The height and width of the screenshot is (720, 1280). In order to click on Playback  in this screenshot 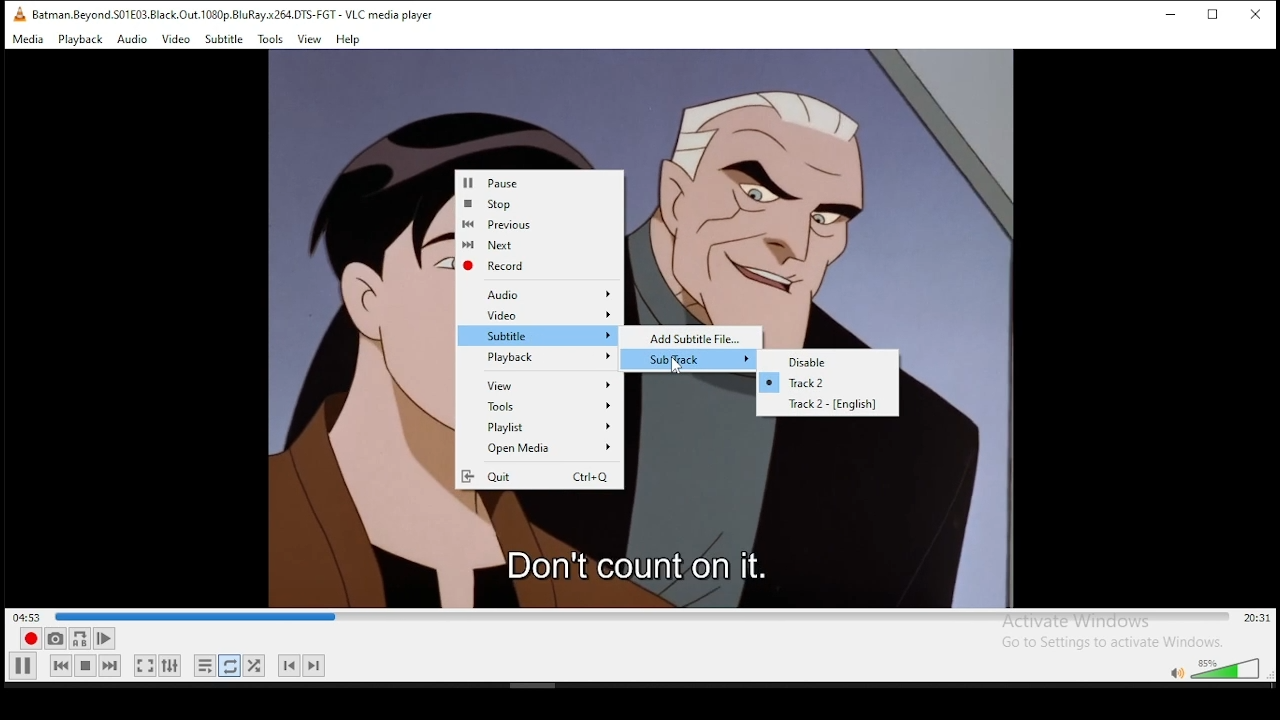, I will do `click(542, 358)`.